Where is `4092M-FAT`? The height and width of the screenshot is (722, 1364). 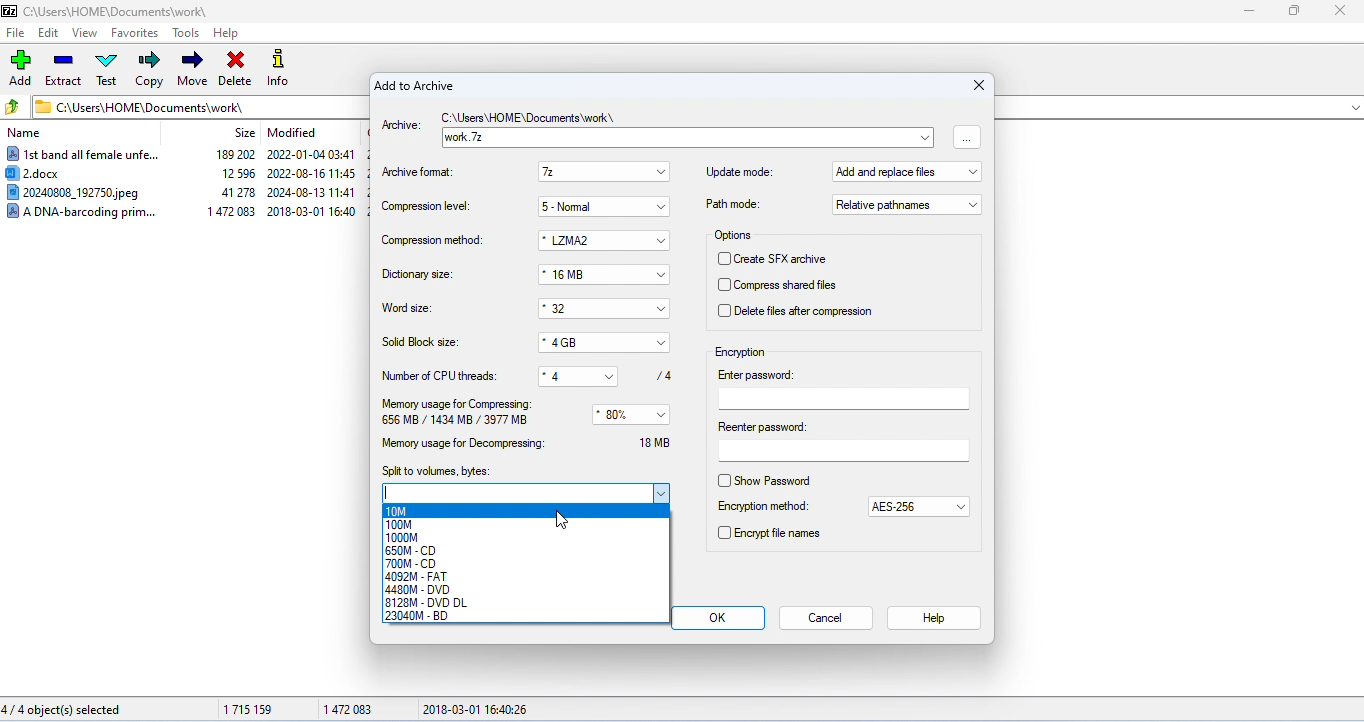 4092M-FAT is located at coordinates (417, 577).